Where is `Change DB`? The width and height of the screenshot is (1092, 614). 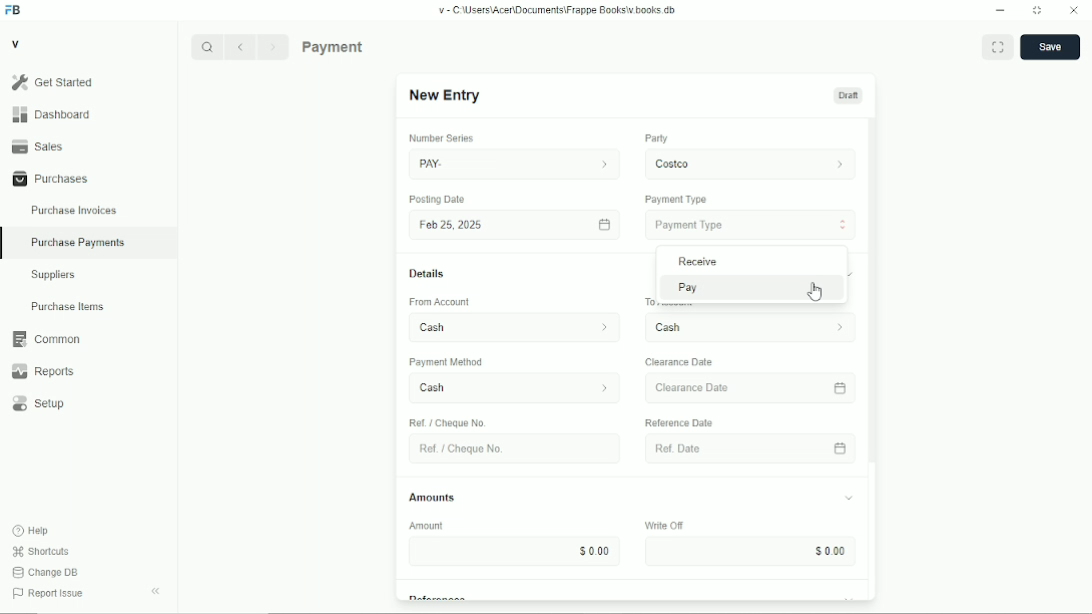 Change DB is located at coordinates (46, 573).